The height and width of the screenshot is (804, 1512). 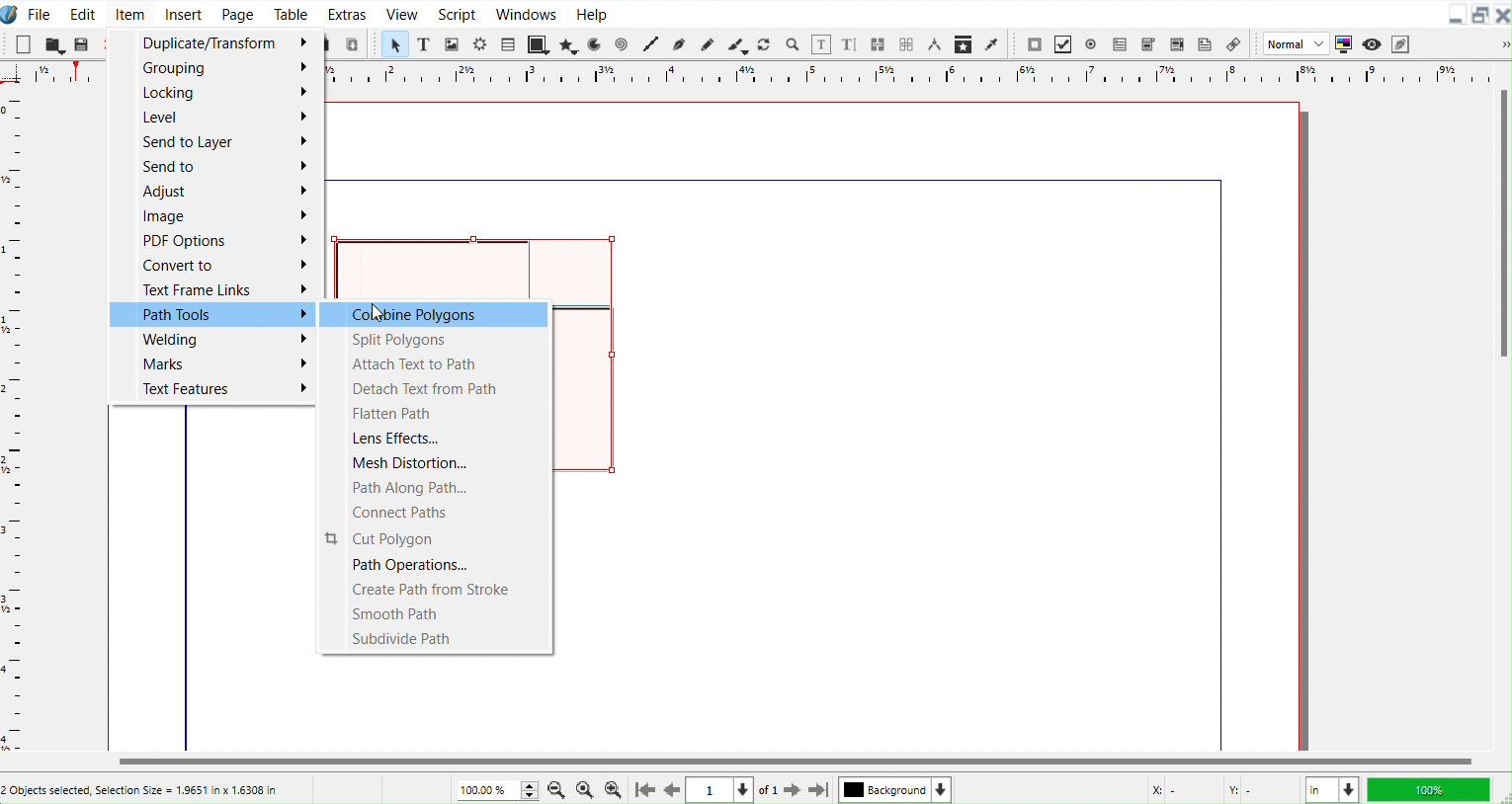 What do you see at coordinates (23, 43) in the screenshot?
I see `New` at bounding box center [23, 43].